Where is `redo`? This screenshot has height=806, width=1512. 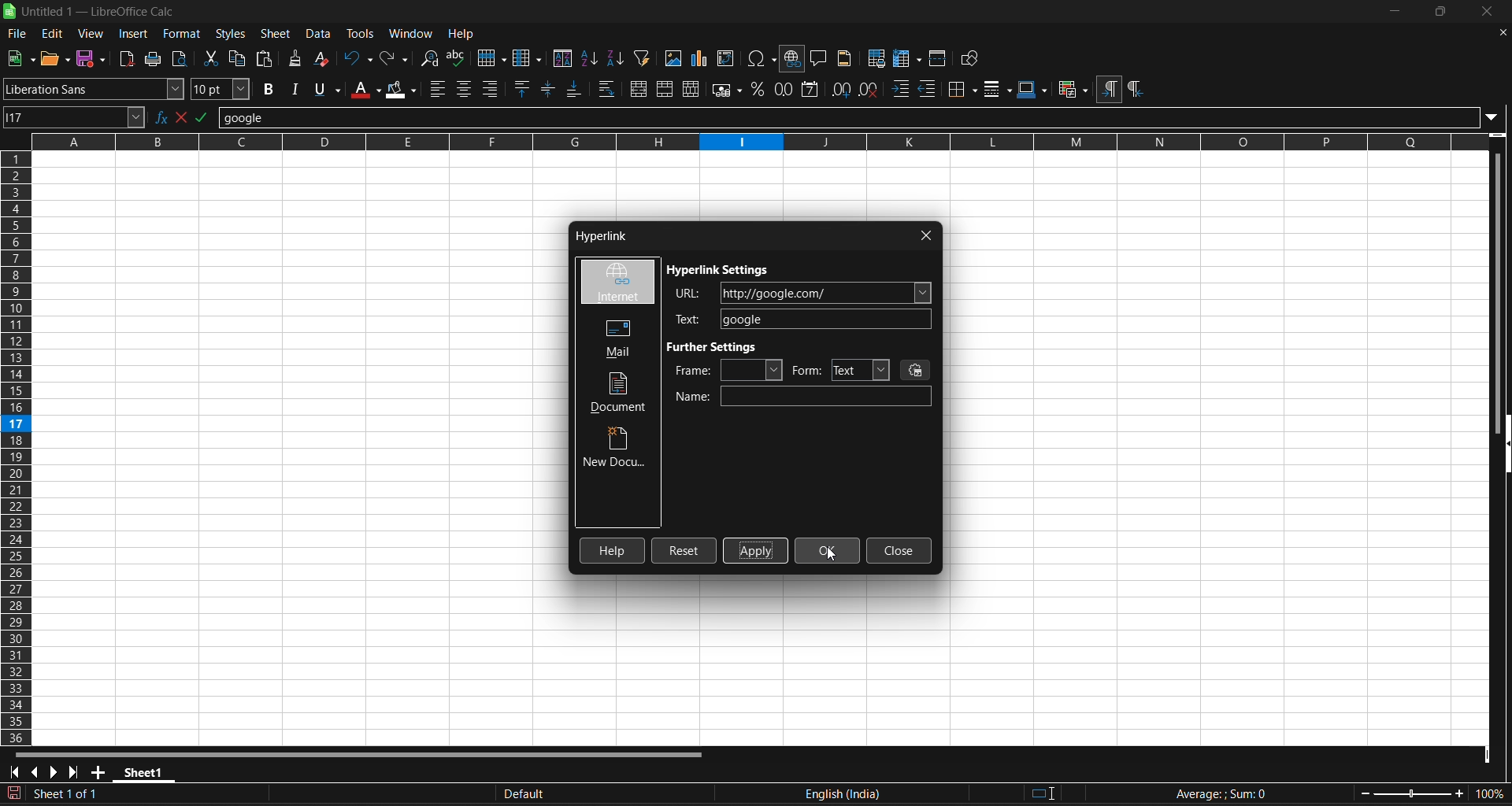
redo is located at coordinates (396, 58).